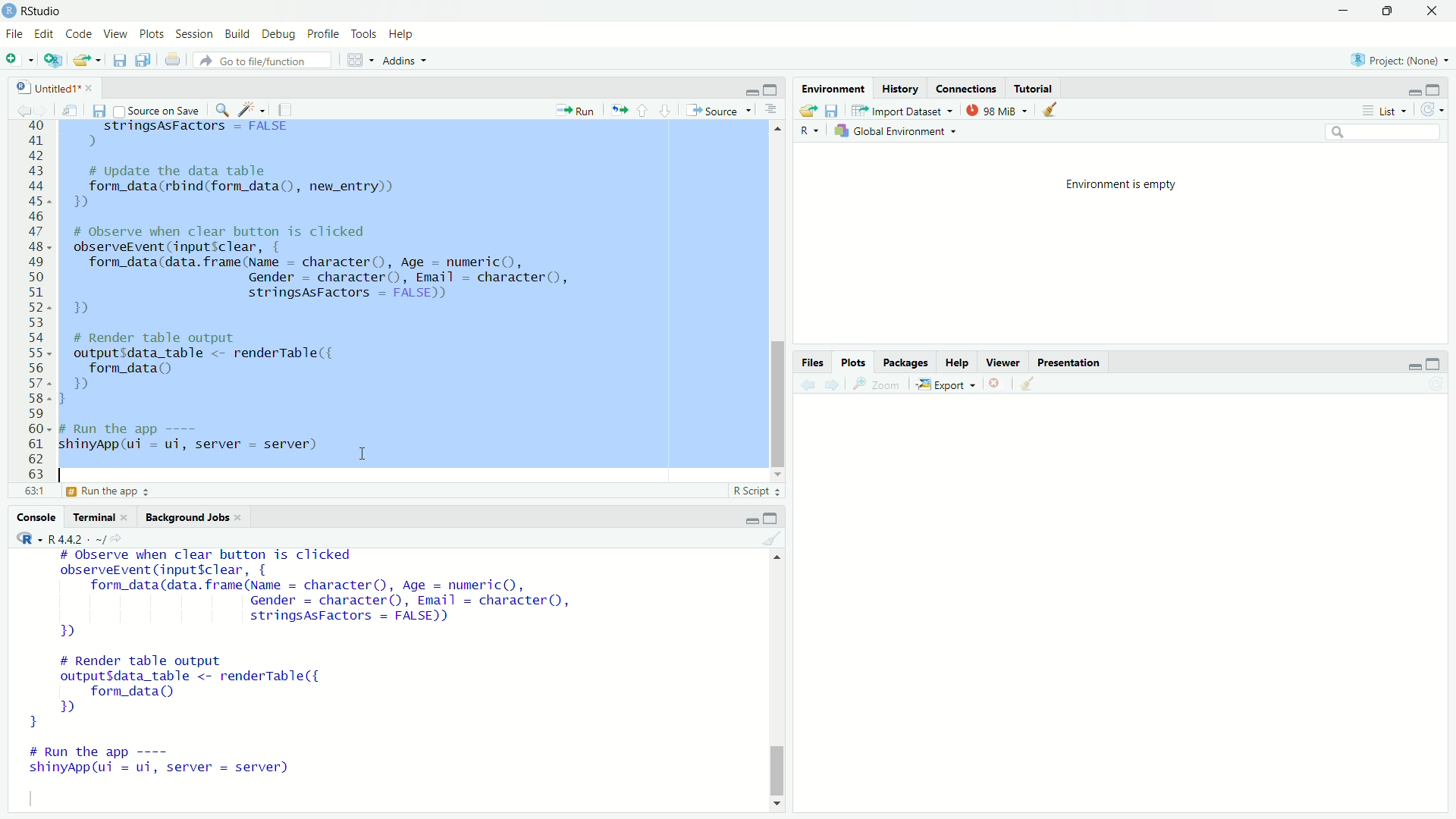  What do you see at coordinates (1031, 88) in the screenshot?
I see `tutorial` at bounding box center [1031, 88].